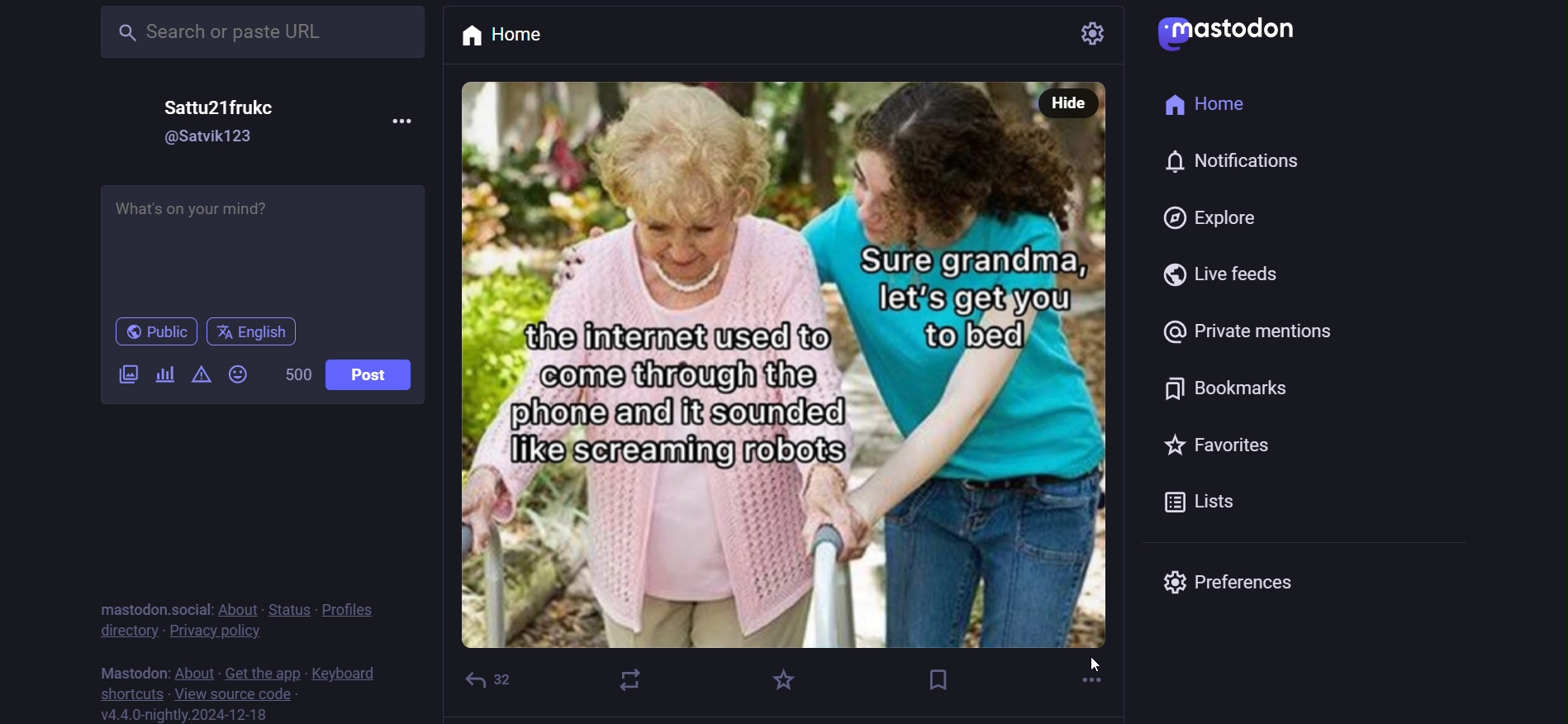  I want to click on favorite, so click(786, 675).